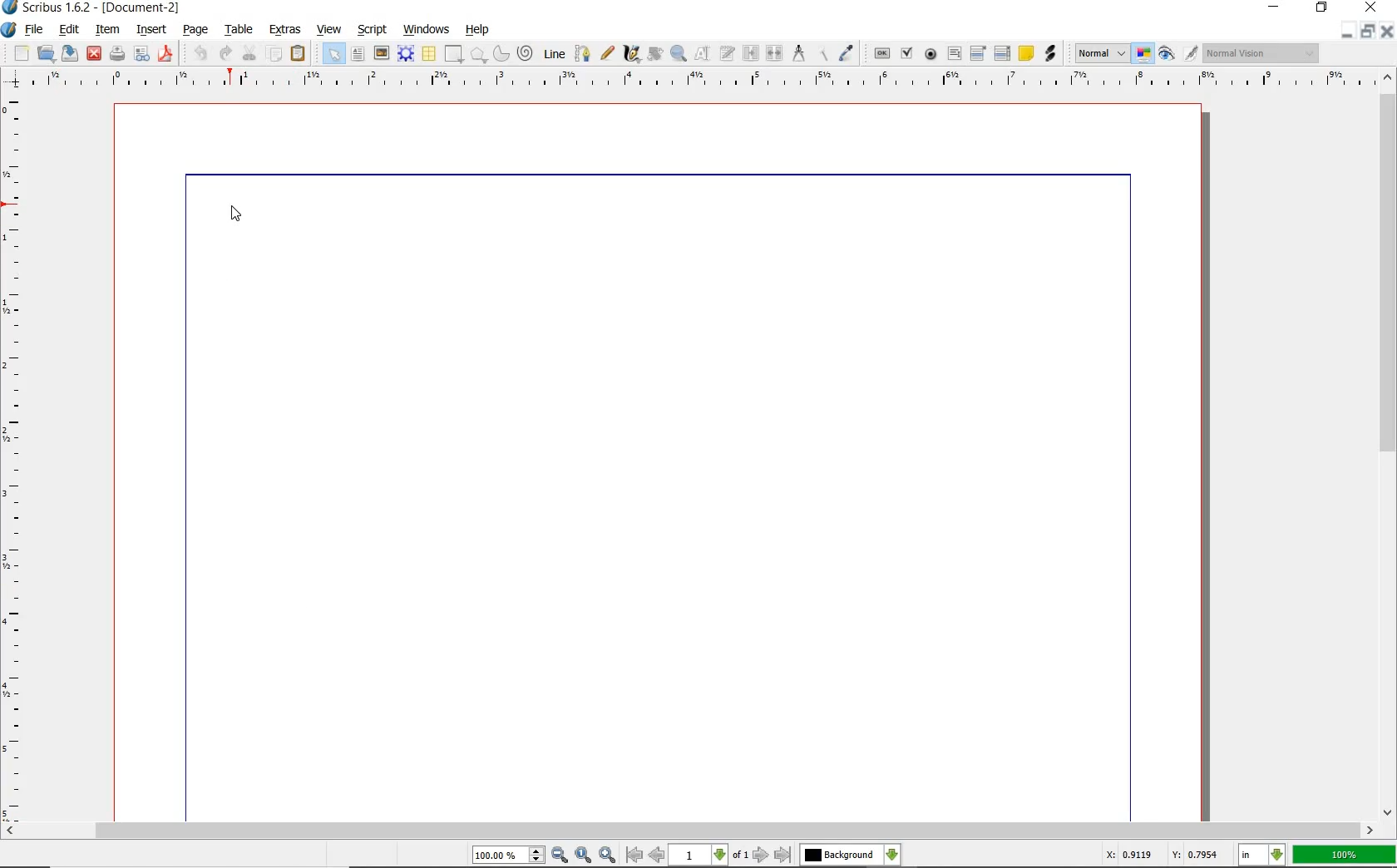 The height and width of the screenshot is (868, 1397). What do you see at coordinates (708, 81) in the screenshot?
I see `ruler` at bounding box center [708, 81].